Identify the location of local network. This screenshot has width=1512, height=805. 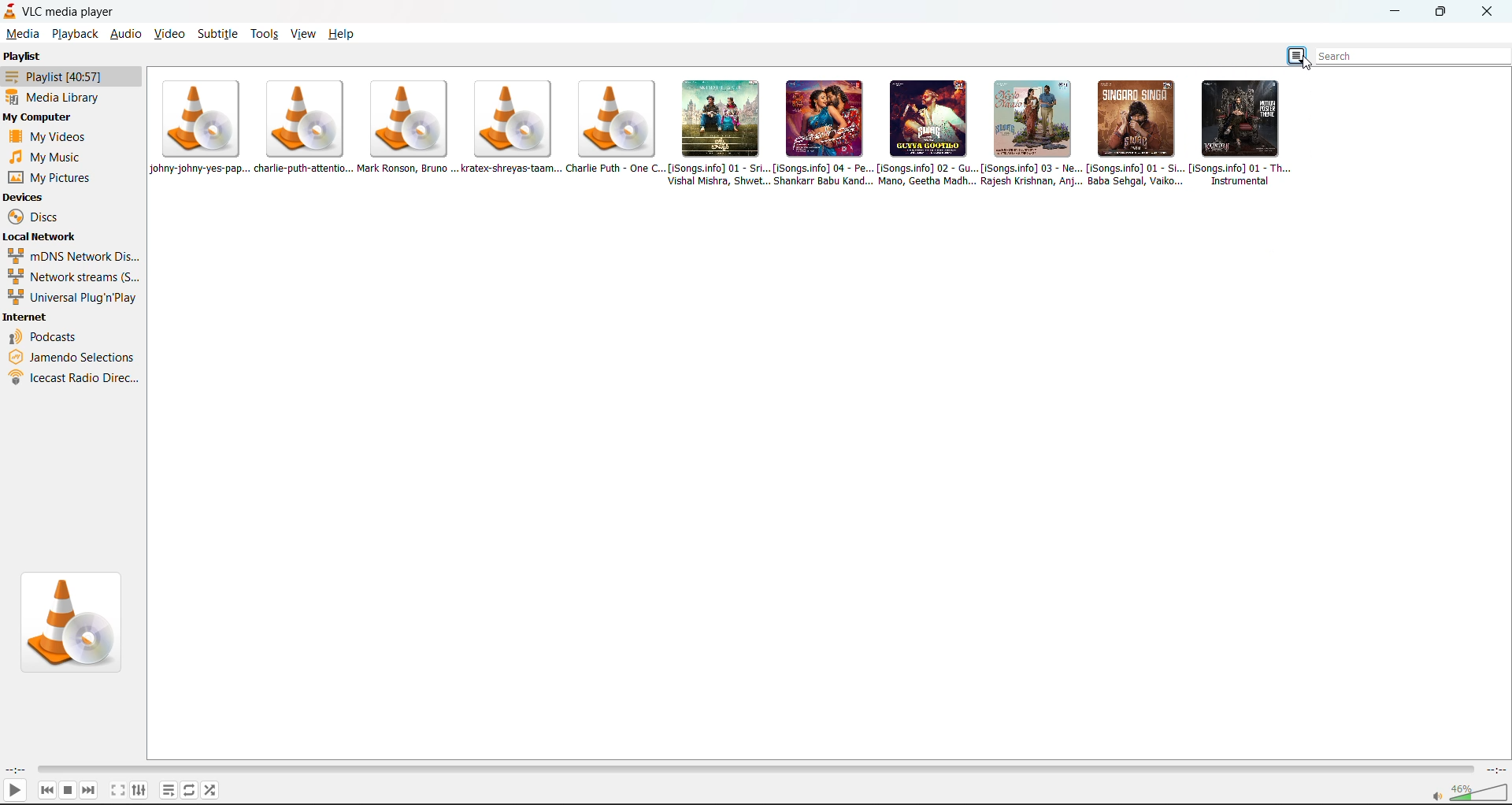
(43, 236).